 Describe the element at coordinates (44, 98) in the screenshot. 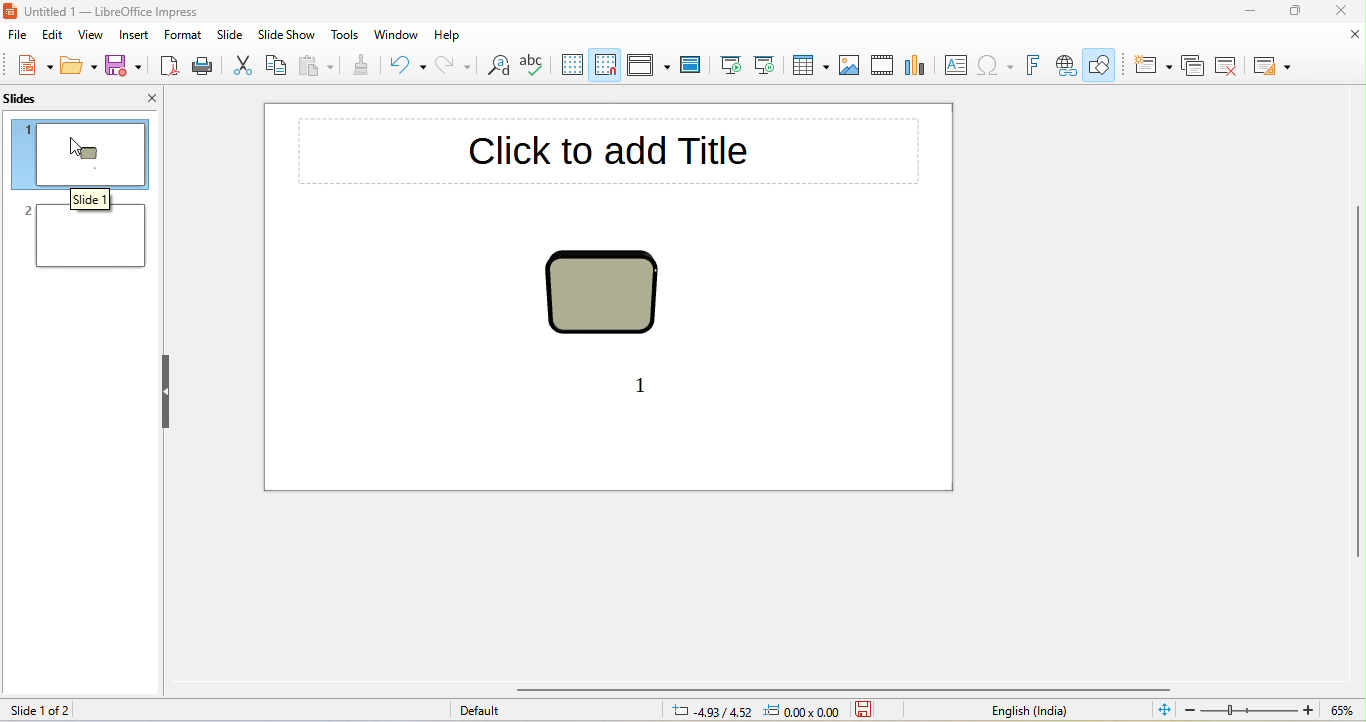

I see `slides` at that location.